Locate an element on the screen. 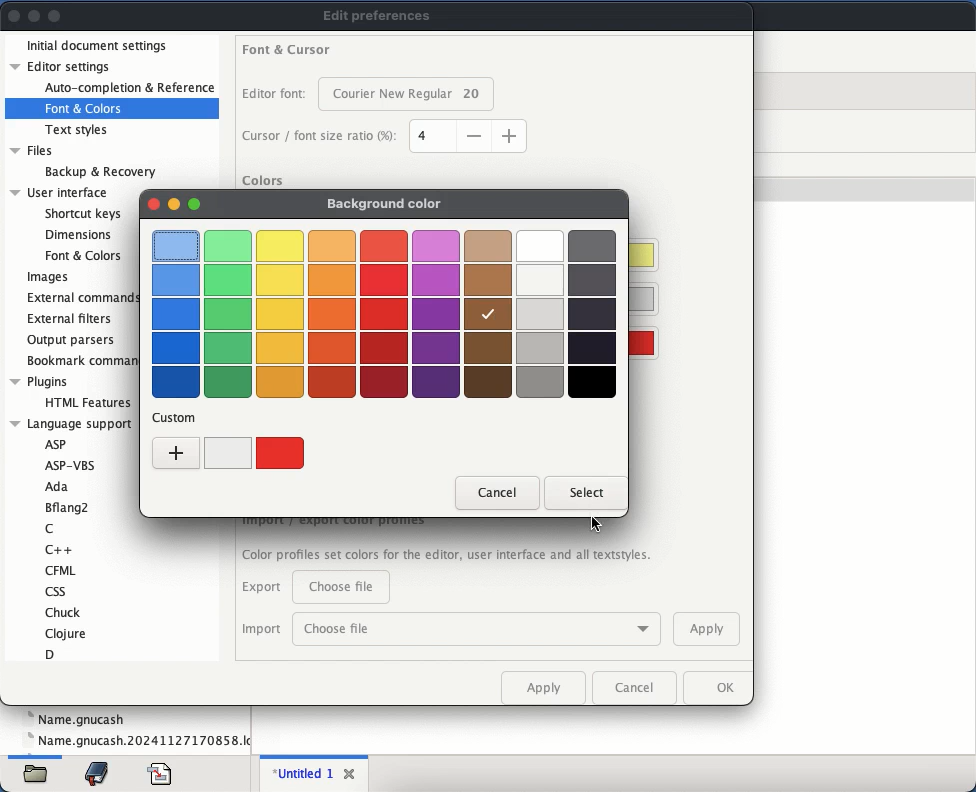 The image size is (976, 792). size is located at coordinates (469, 135).